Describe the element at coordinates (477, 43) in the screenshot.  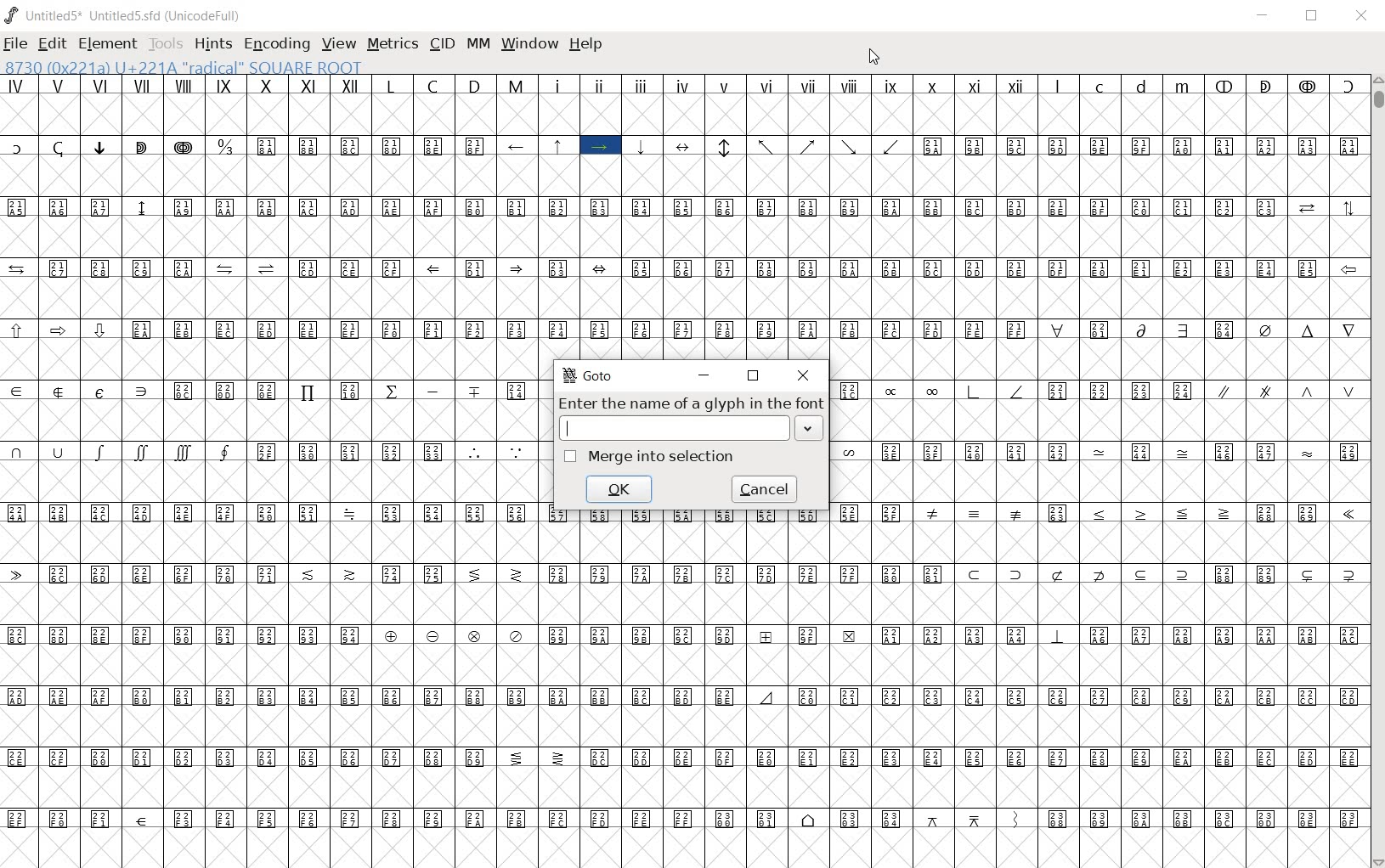
I see `MM` at that location.